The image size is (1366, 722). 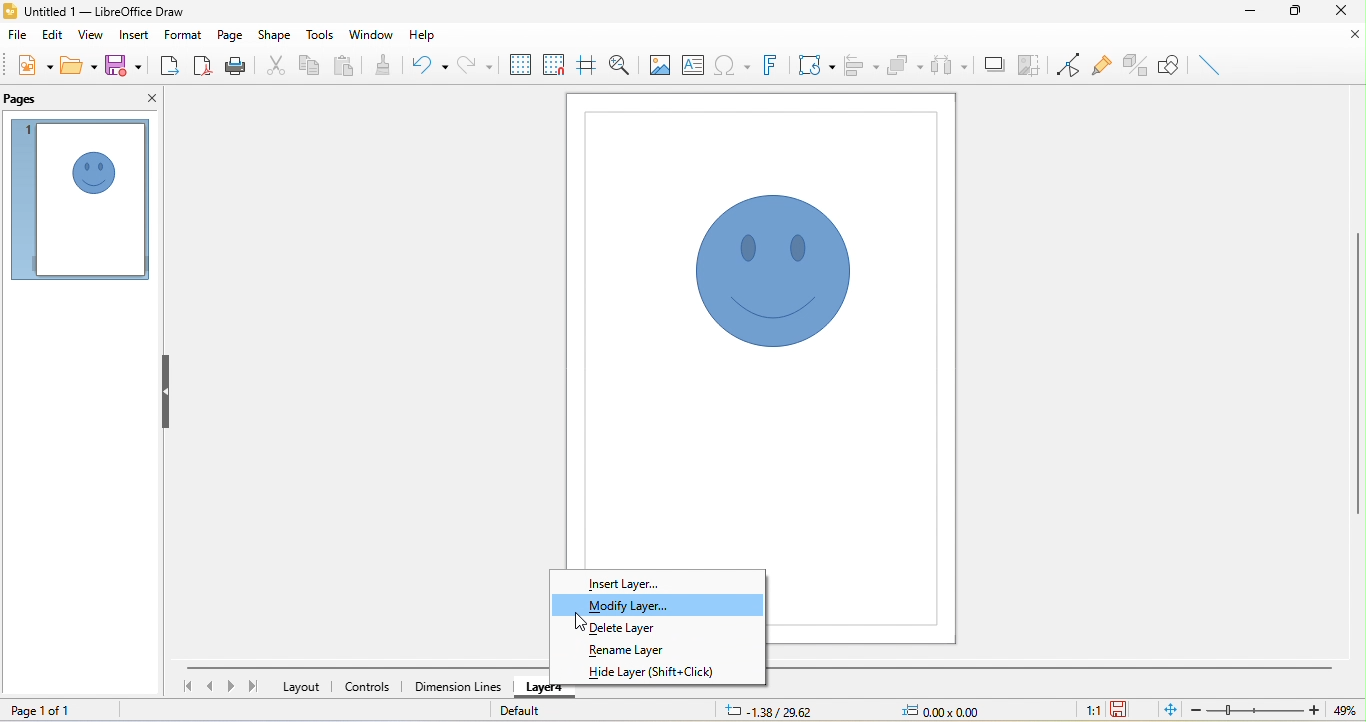 What do you see at coordinates (1104, 65) in the screenshot?
I see `glue point function` at bounding box center [1104, 65].